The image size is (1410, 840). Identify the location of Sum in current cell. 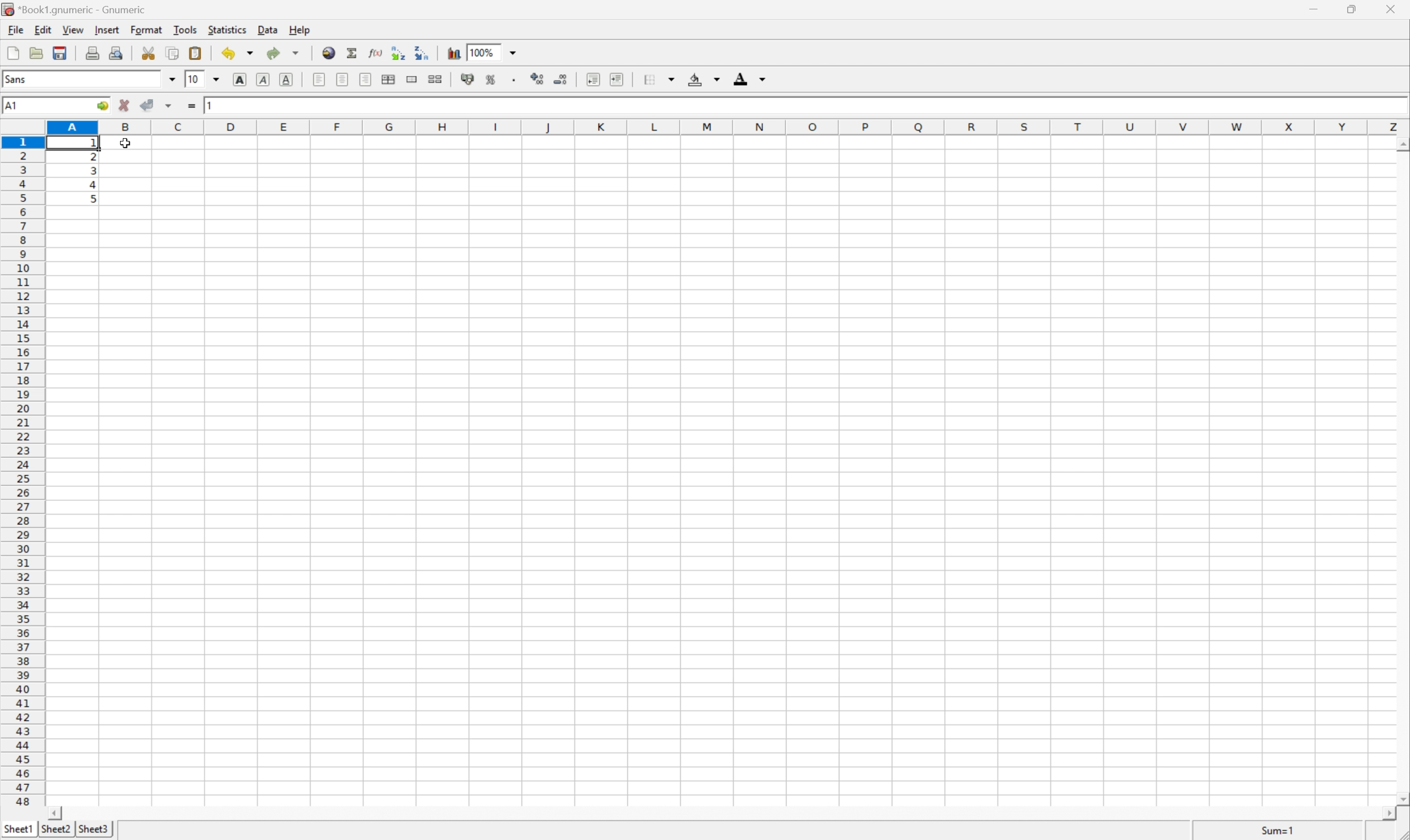
(353, 54).